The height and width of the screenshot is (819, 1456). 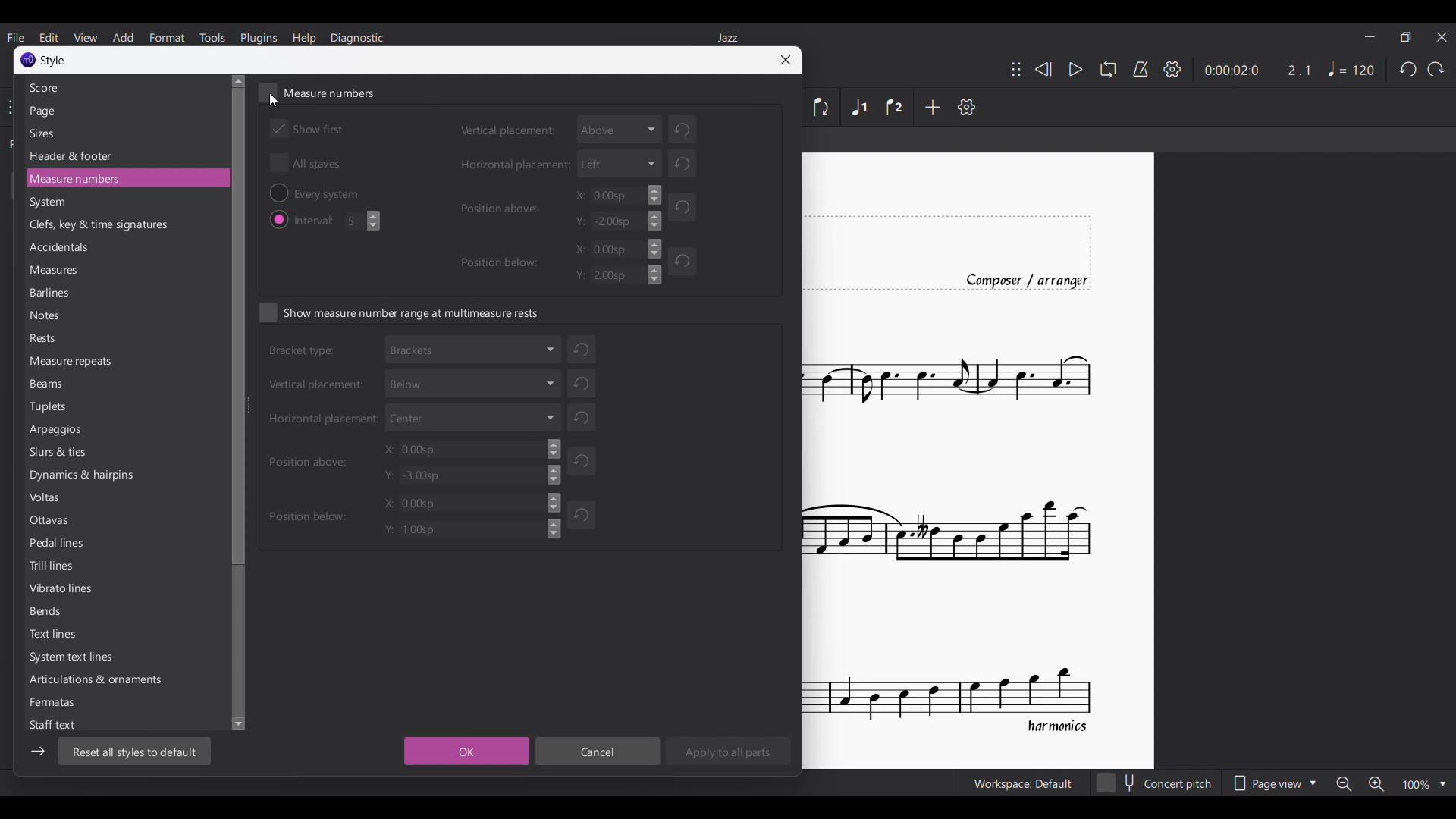 What do you see at coordinates (136, 752) in the screenshot?
I see `Reset to default` at bounding box center [136, 752].